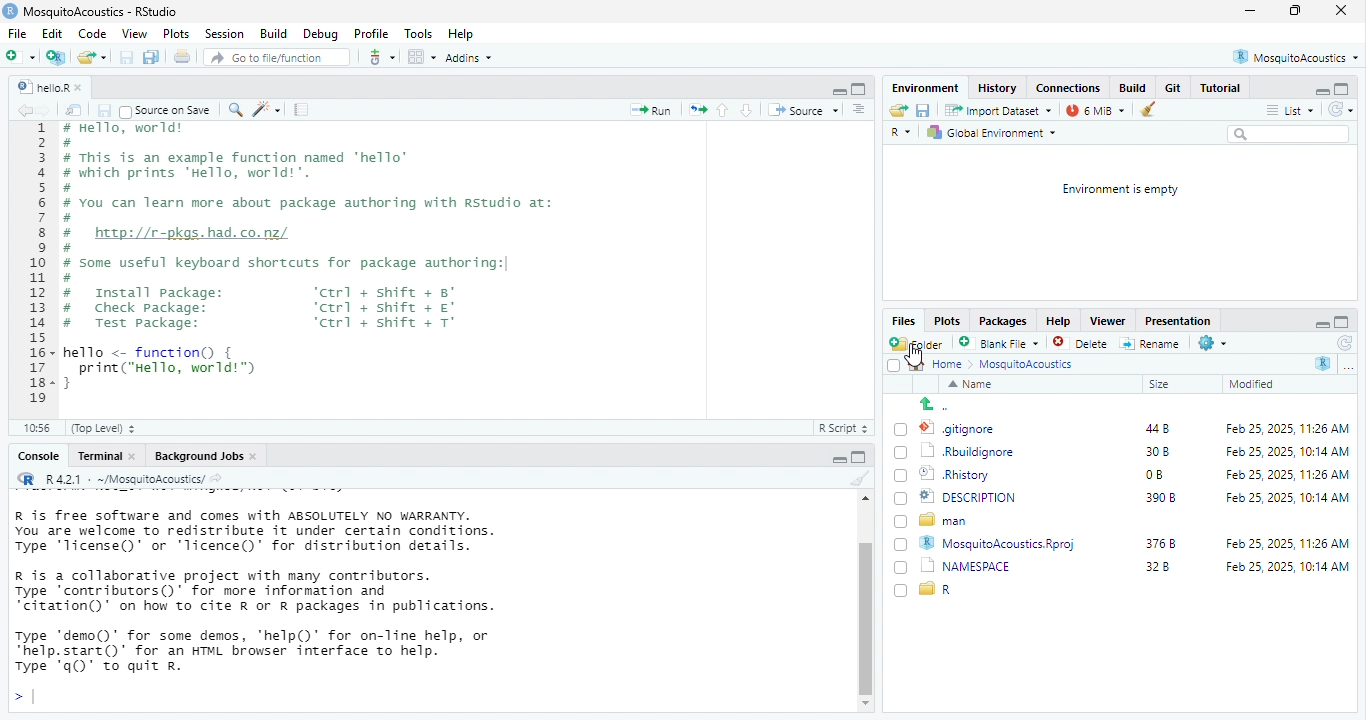 This screenshot has width=1366, height=720. What do you see at coordinates (976, 566) in the screenshot?
I see ` NAMESPACE` at bounding box center [976, 566].